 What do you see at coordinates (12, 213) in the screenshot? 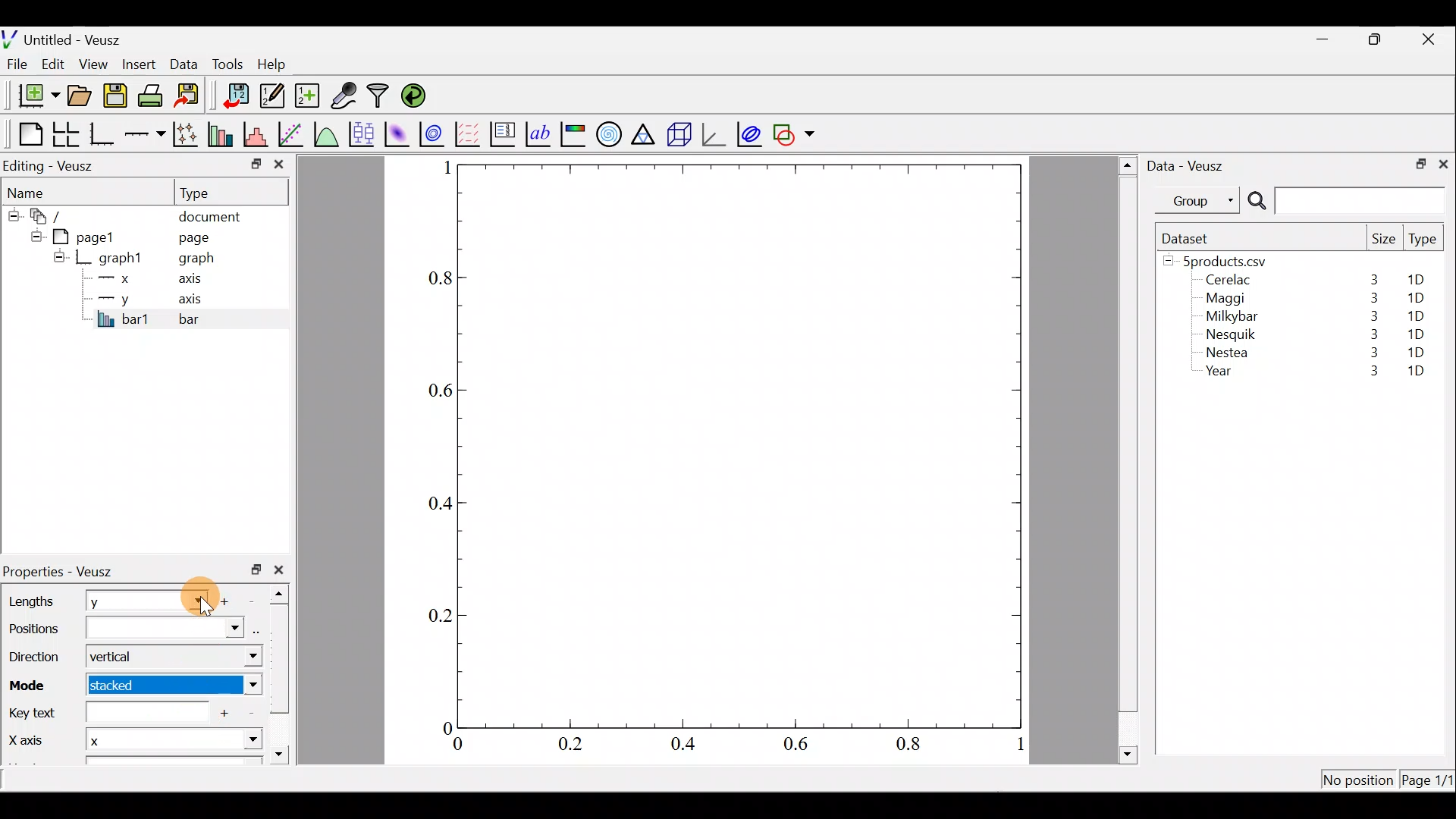
I see `hide` at bounding box center [12, 213].